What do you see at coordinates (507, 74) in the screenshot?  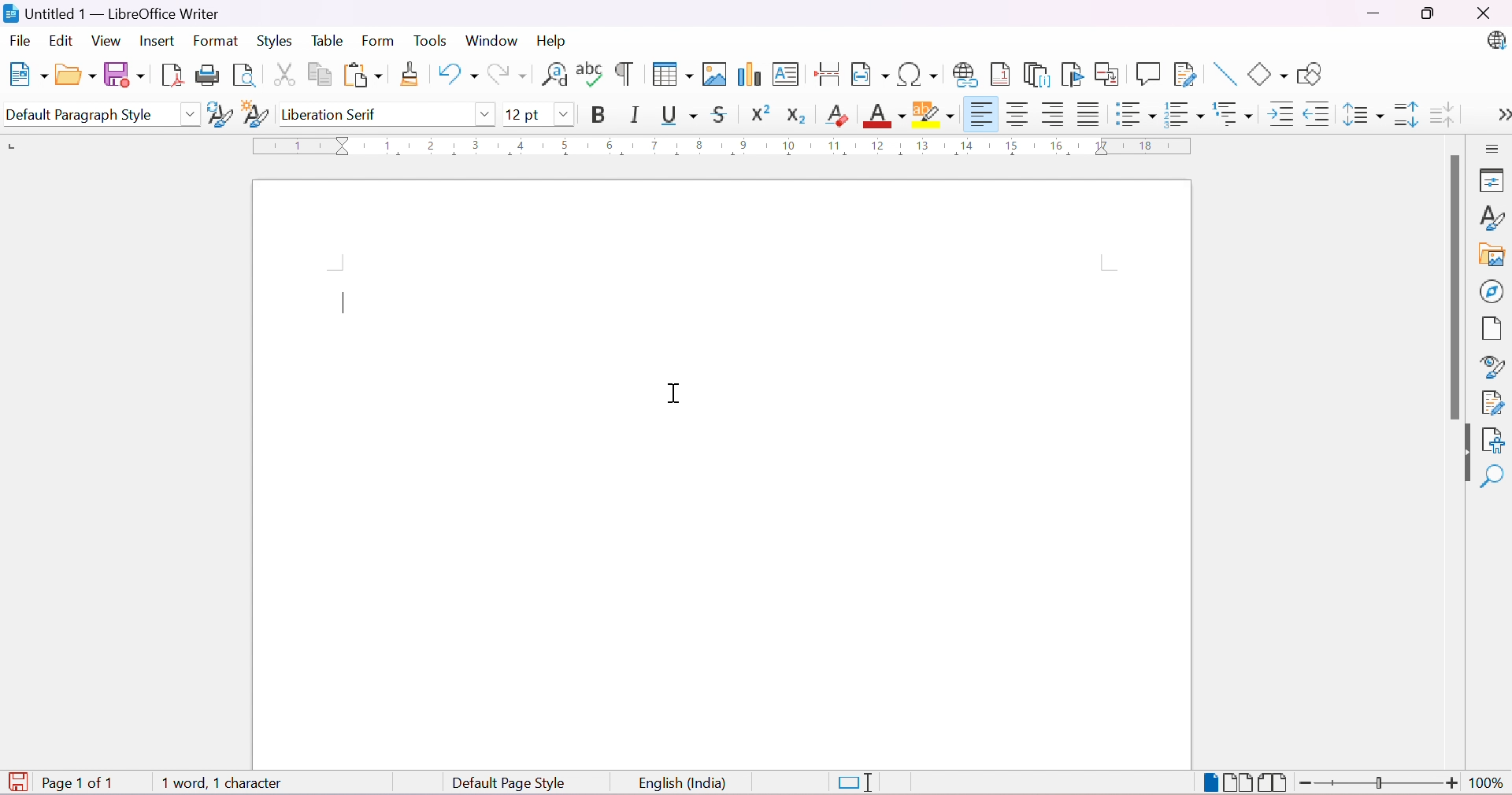 I see `Redo` at bounding box center [507, 74].